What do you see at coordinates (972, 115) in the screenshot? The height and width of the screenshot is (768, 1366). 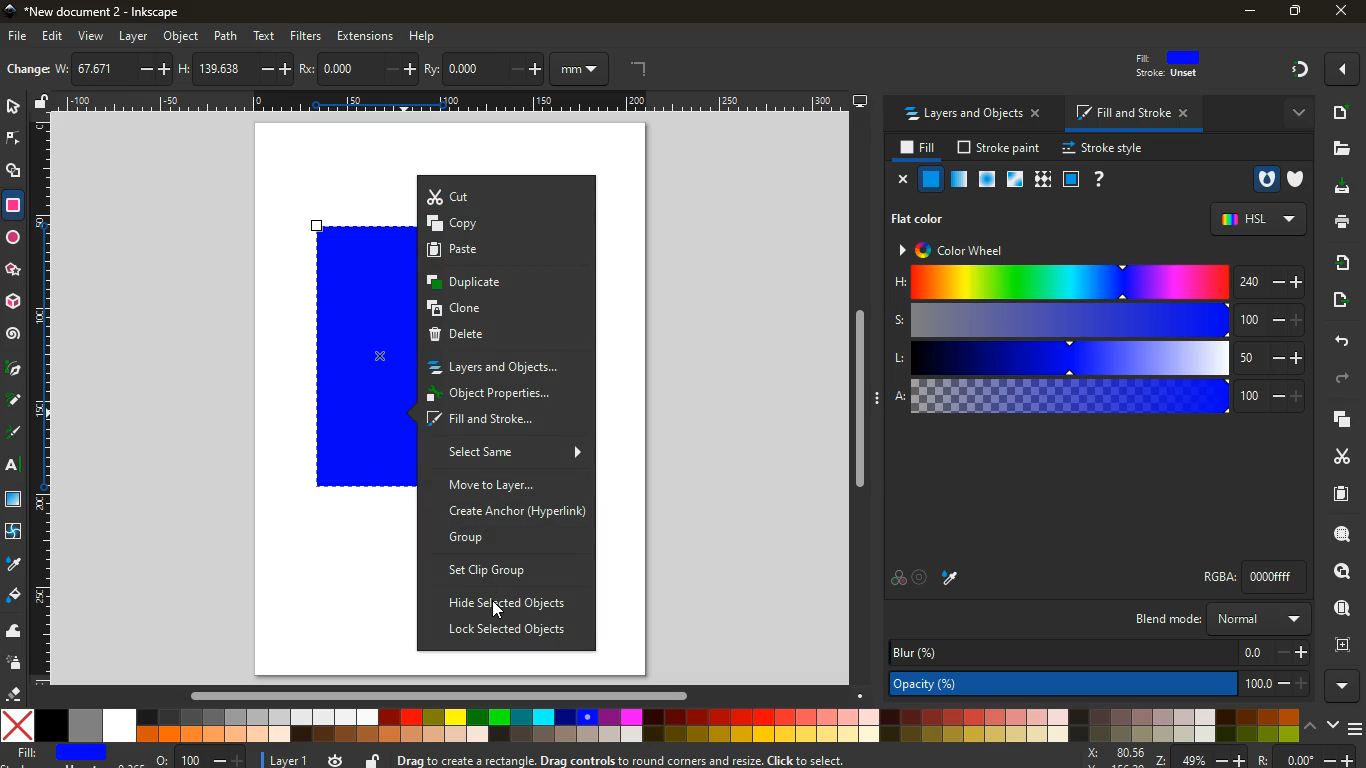 I see `layers and objects` at bounding box center [972, 115].